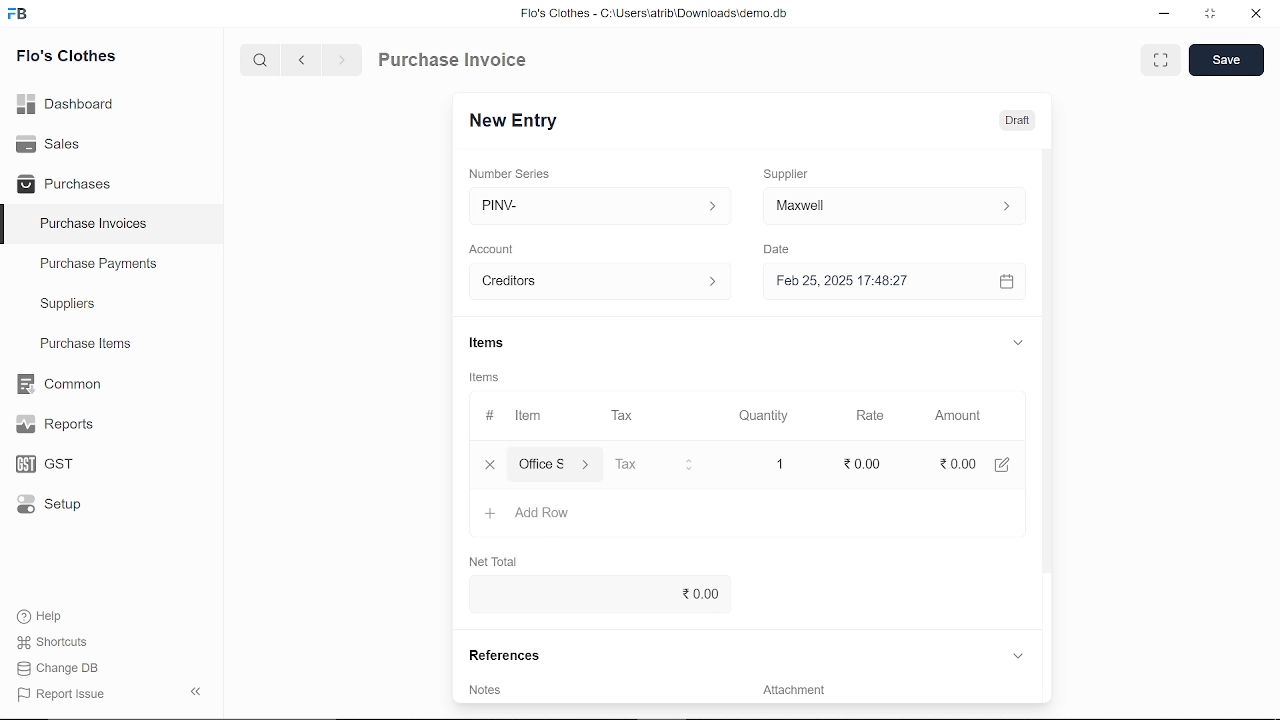  I want to click on edit amount, so click(1009, 464).